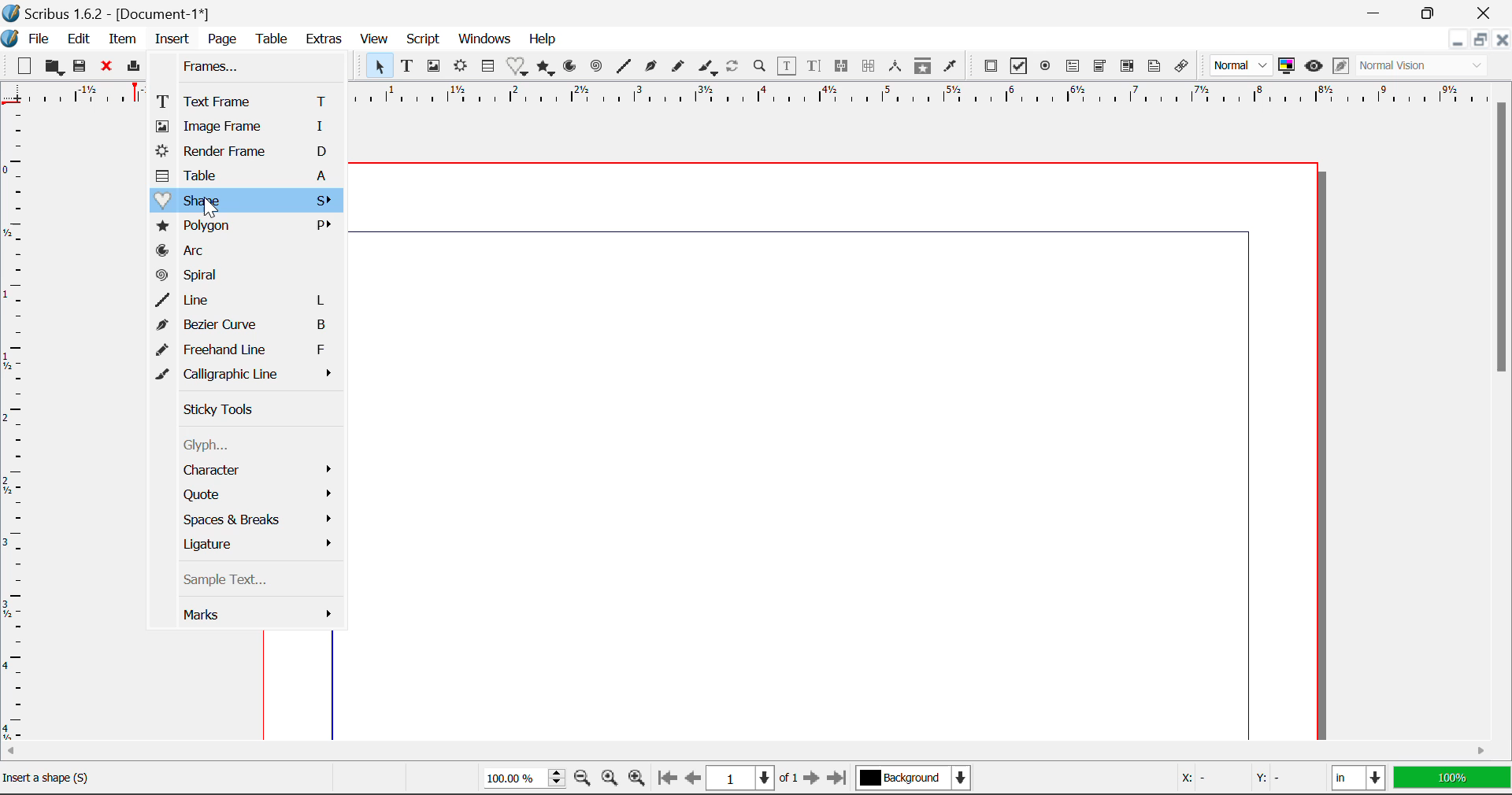 The height and width of the screenshot is (795, 1512). I want to click on 100%, so click(1451, 779).